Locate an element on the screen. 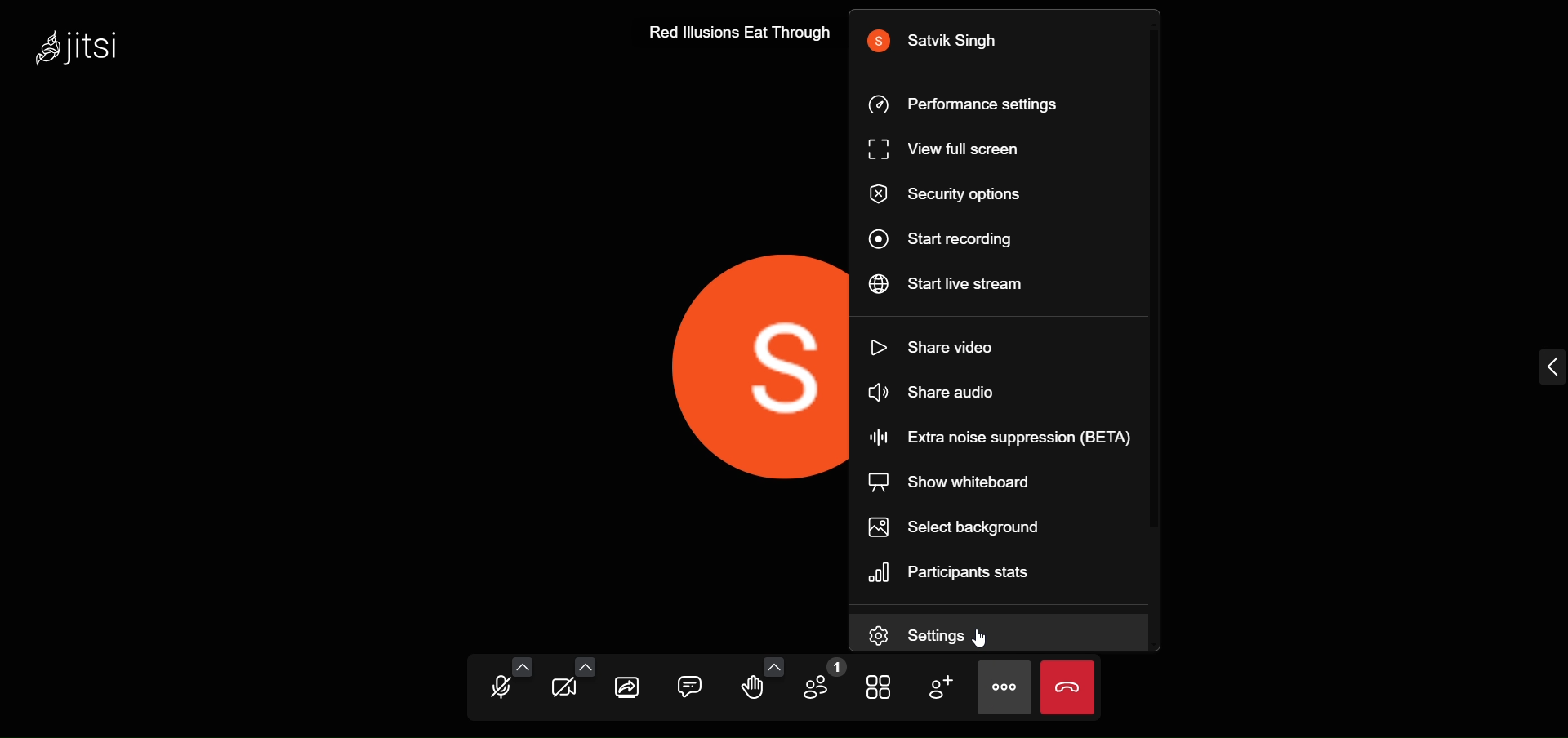 The width and height of the screenshot is (1568, 738). jitsi is located at coordinates (83, 45).